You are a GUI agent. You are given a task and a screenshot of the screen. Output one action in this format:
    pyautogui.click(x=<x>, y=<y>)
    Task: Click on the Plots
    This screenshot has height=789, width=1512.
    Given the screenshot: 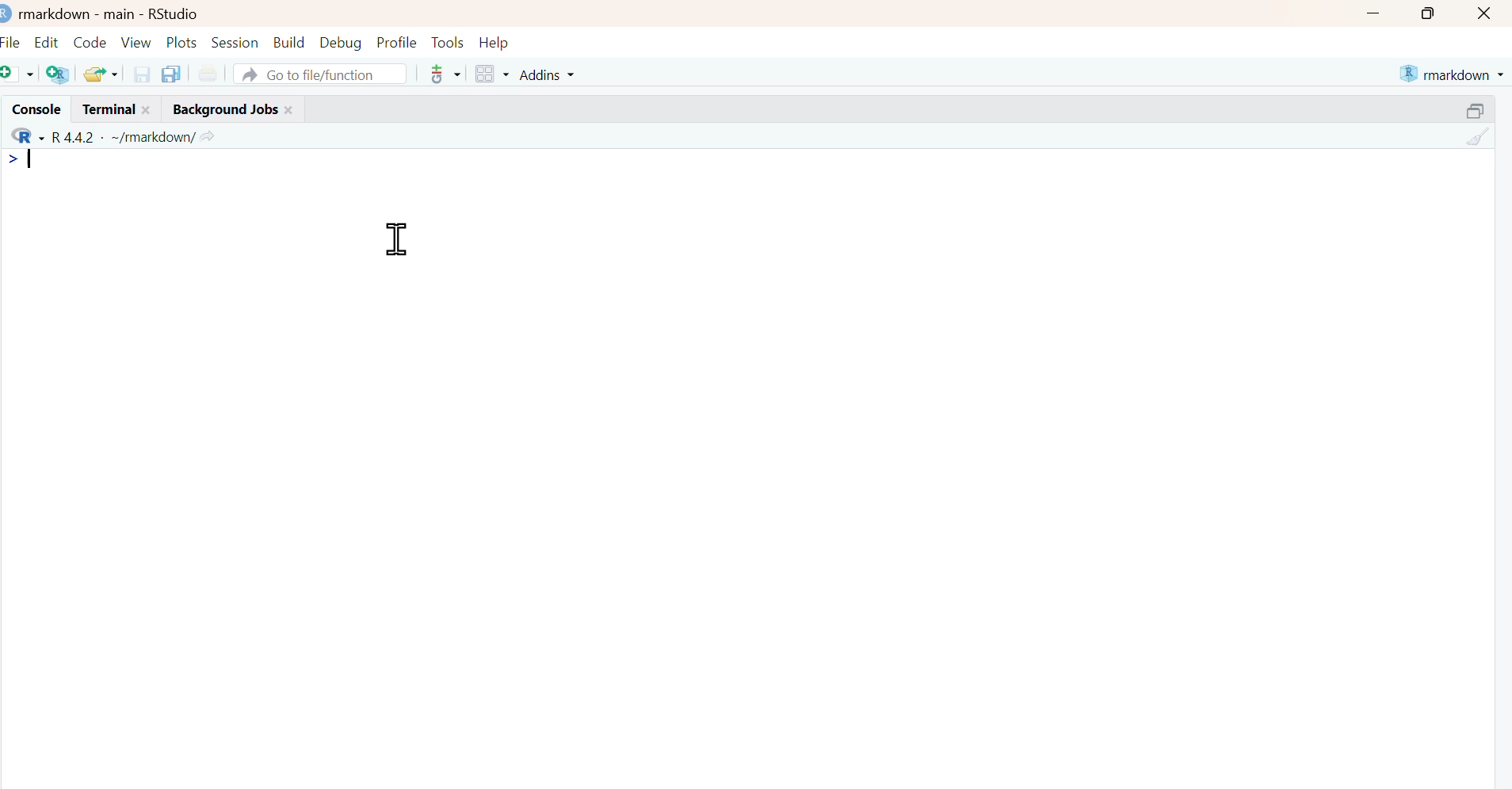 What is the action you would take?
    pyautogui.click(x=182, y=40)
    